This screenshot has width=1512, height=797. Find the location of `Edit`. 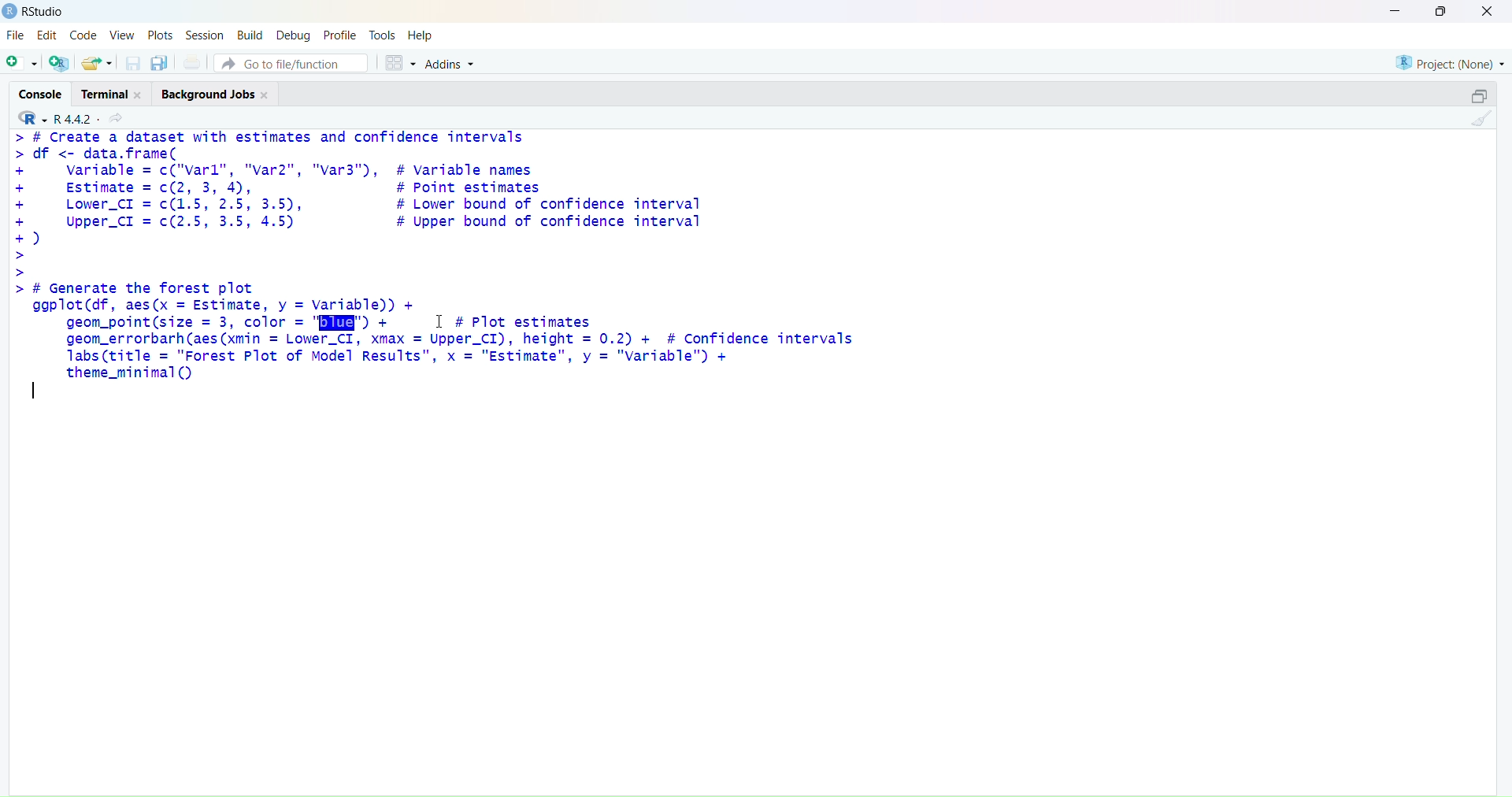

Edit is located at coordinates (46, 35).